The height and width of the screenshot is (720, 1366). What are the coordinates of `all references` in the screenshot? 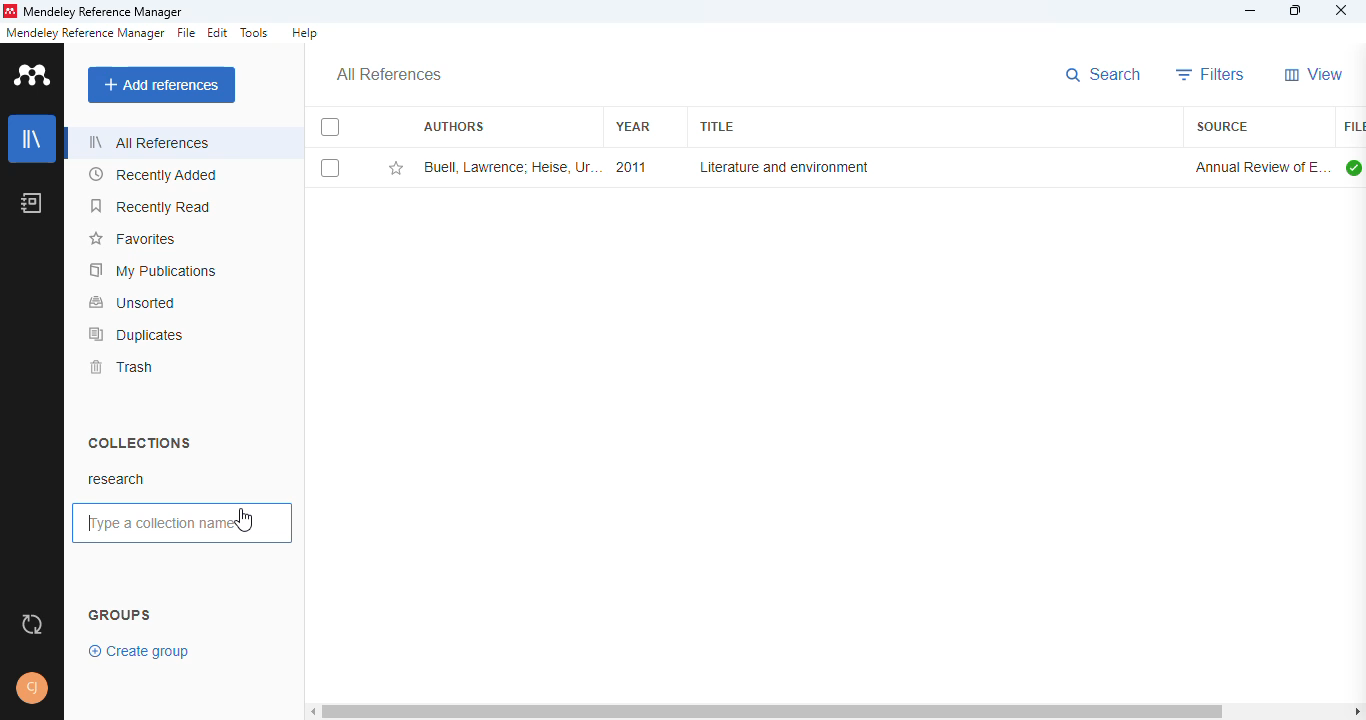 It's located at (150, 142).